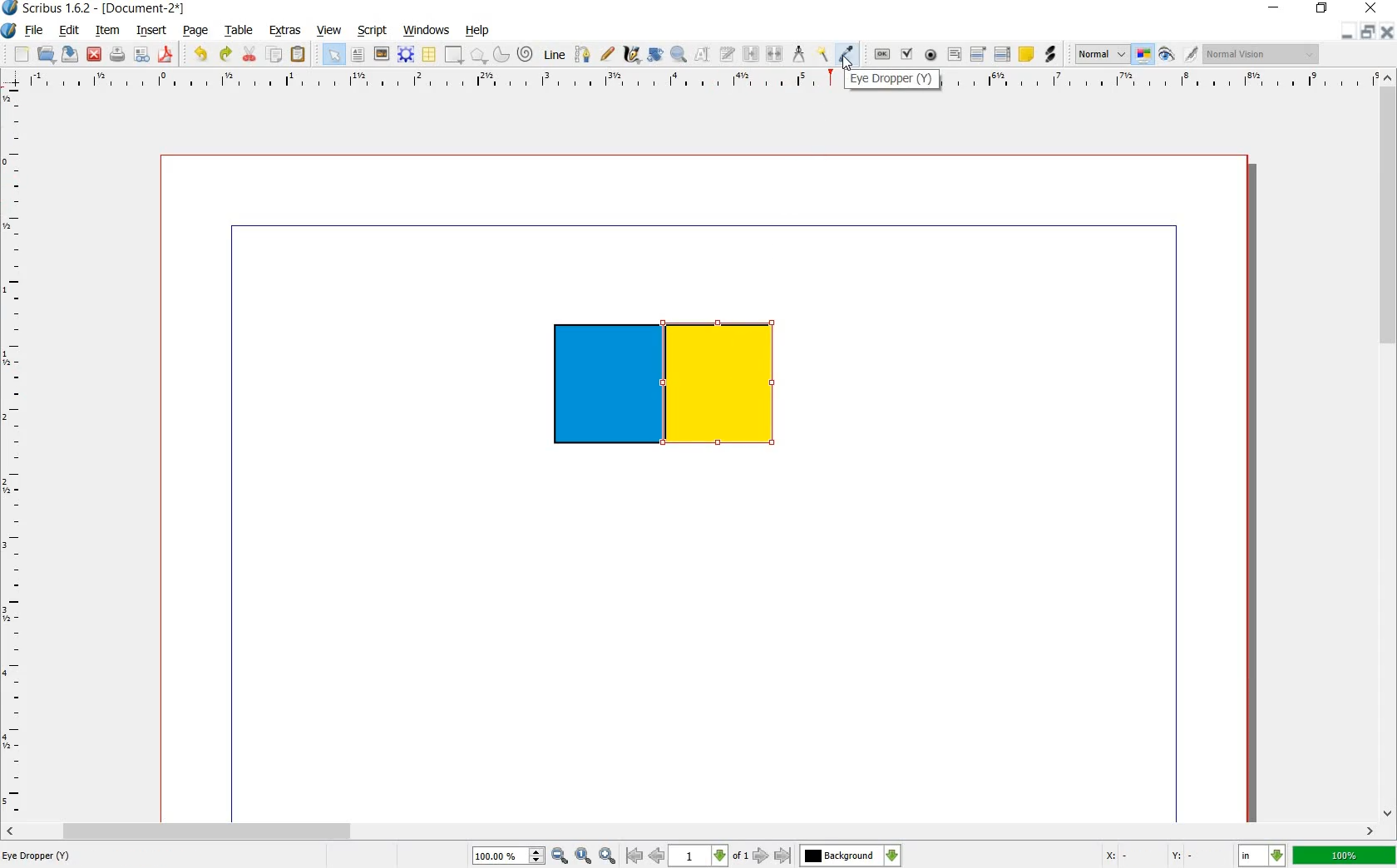  Describe the element at coordinates (478, 56) in the screenshot. I see `polygon` at that location.